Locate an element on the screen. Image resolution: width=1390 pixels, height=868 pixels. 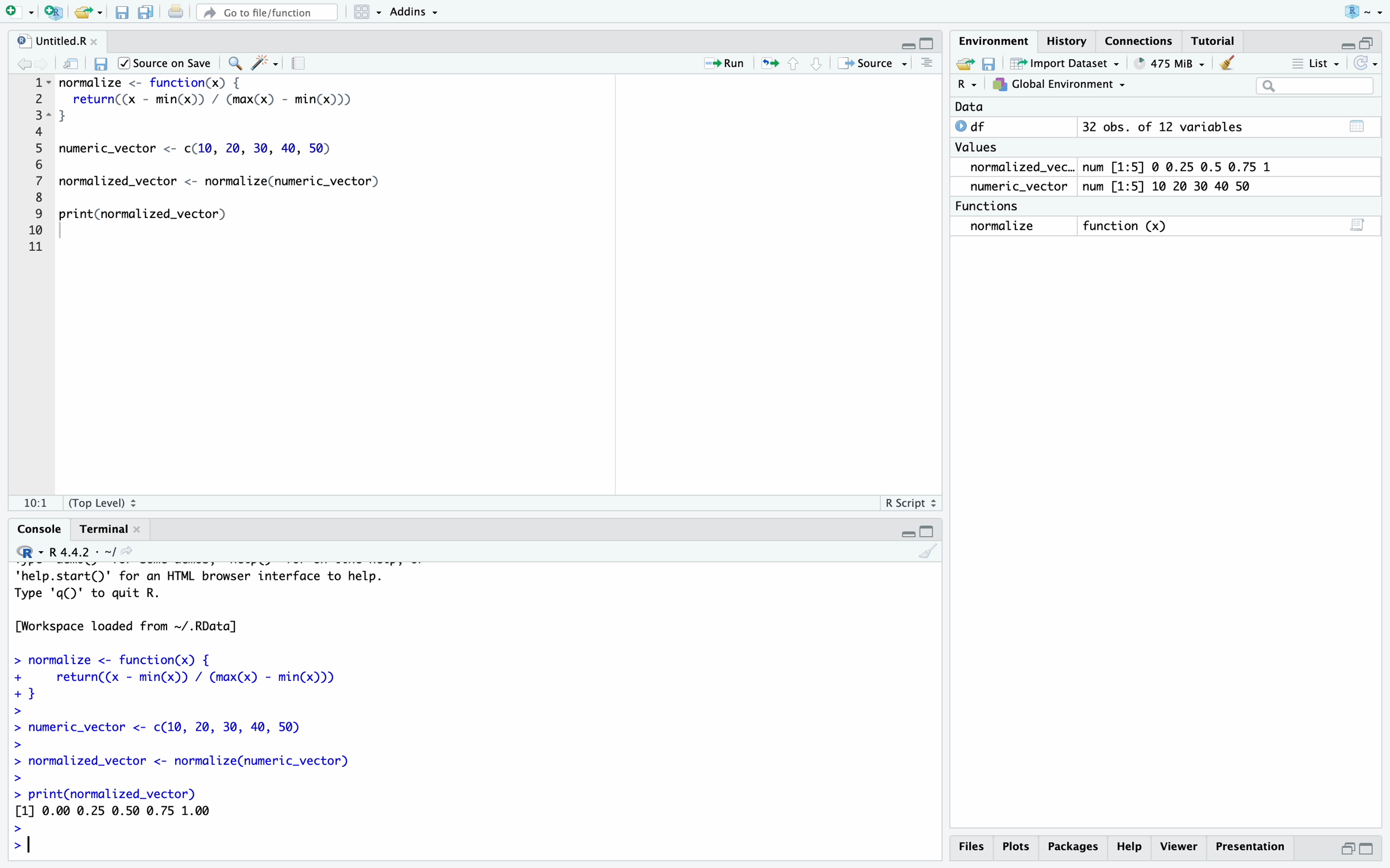
Tutorial is located at coordinates (1214, 40).